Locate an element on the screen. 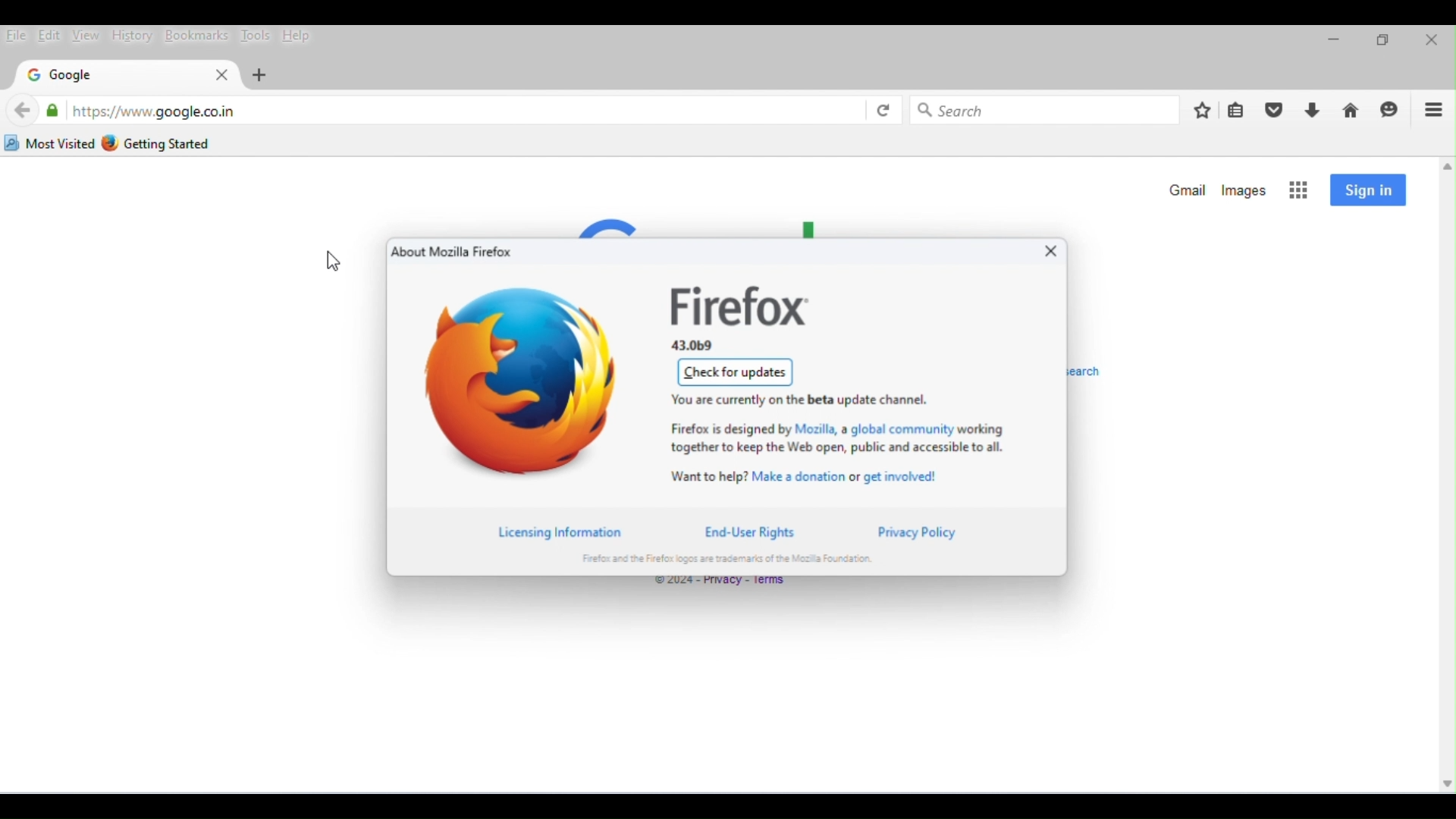 Image resolution: width=1456 pixels, height=819 pixels. refresh is located at coordinates (882, 109).